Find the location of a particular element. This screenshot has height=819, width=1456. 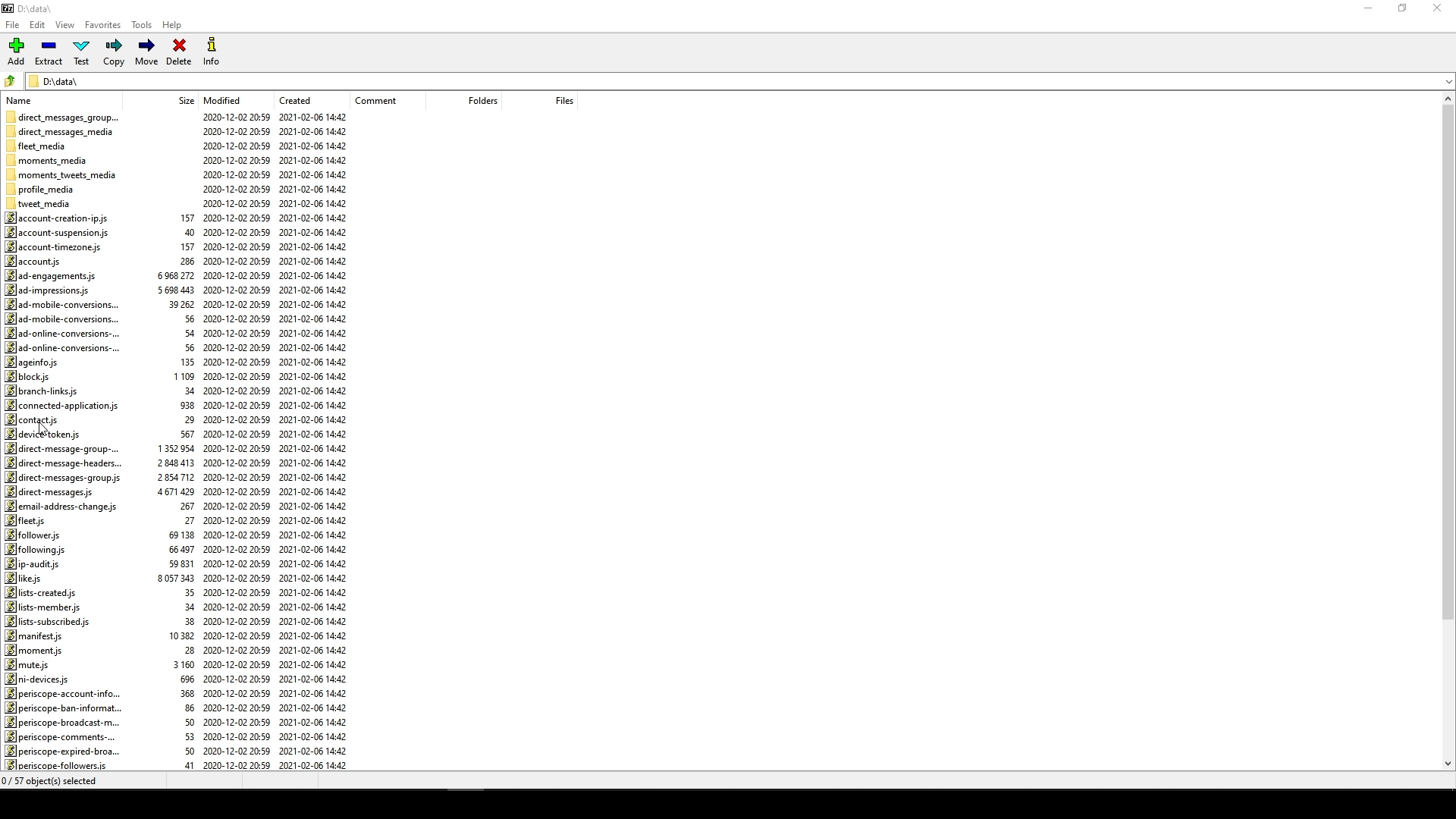

ad-mobile-conversions is located at coordinates (67, 318).